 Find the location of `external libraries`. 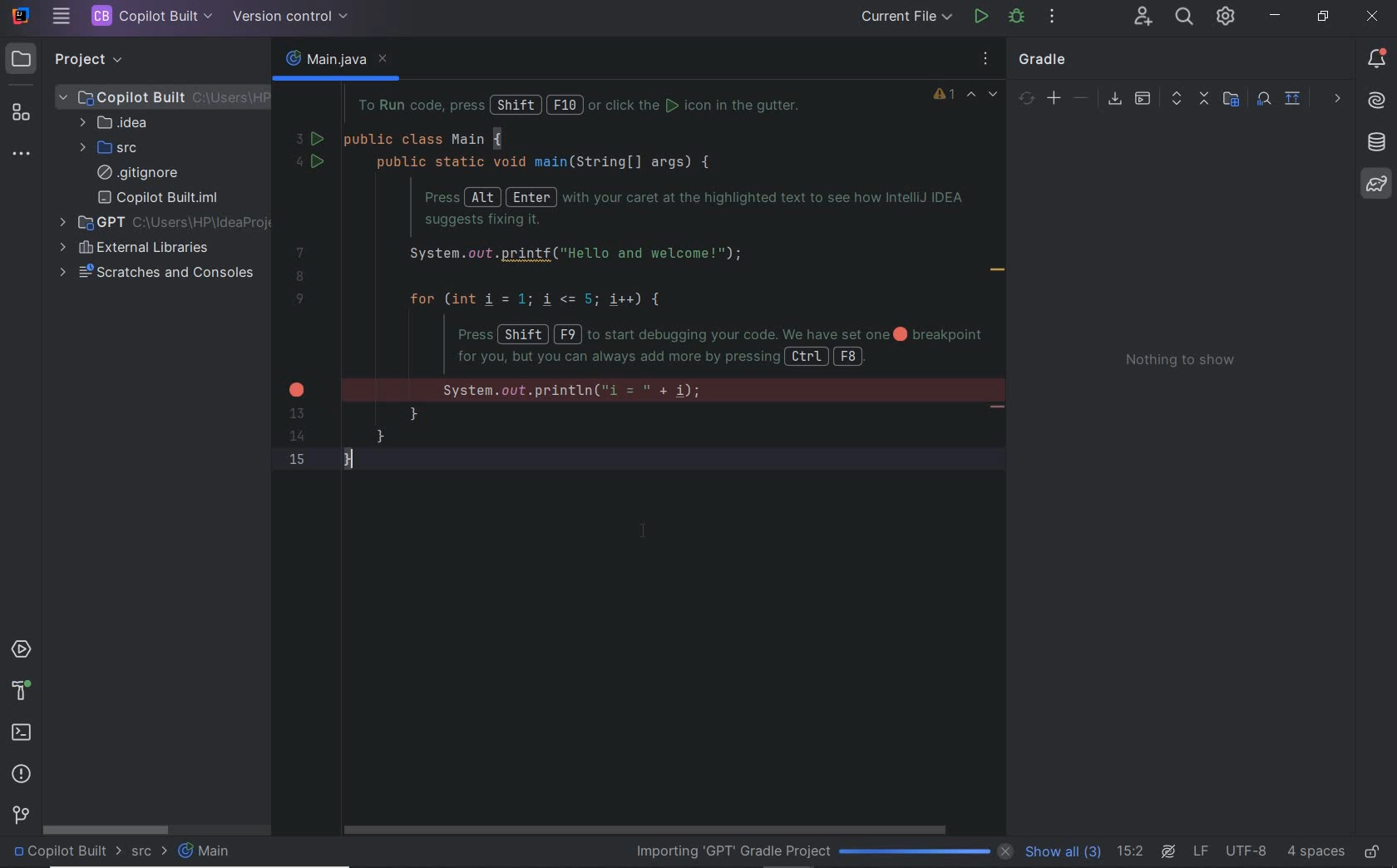

external libraries is located at coordinates (138, 249).